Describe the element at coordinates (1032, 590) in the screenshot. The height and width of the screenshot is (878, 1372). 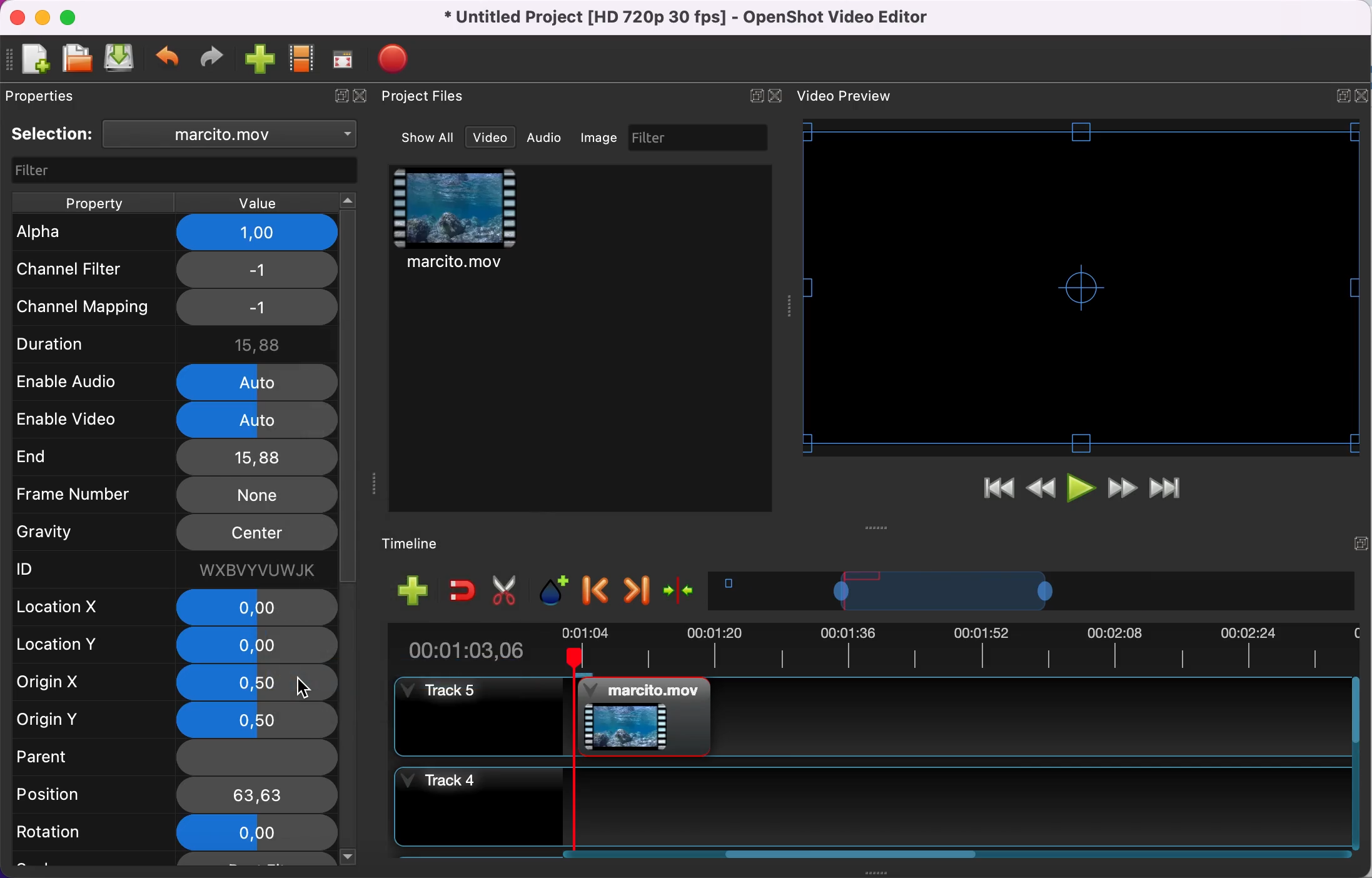
I see `timeline` at that location.